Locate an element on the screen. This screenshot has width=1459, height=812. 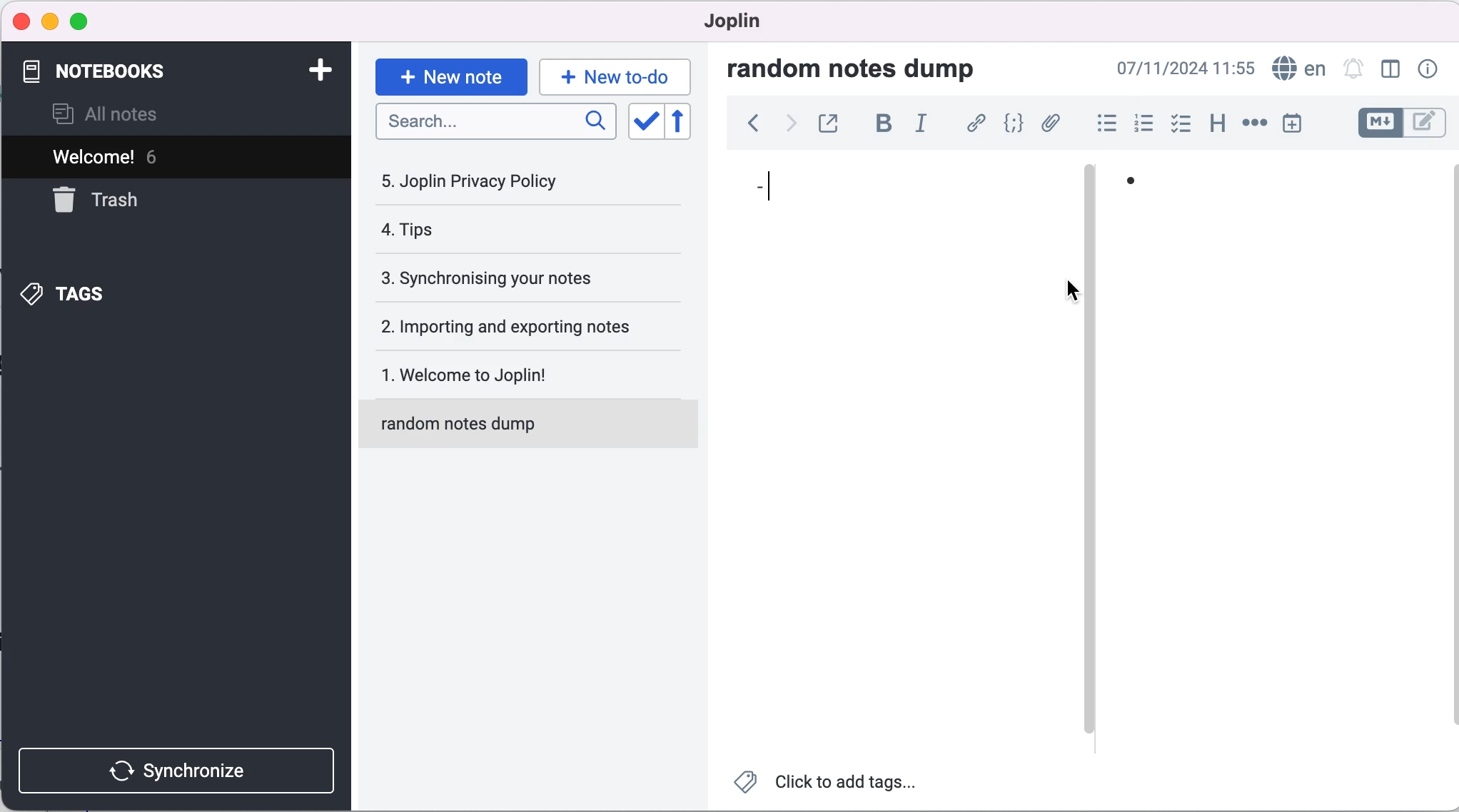
new to-do is located at coordinates (617, 76).